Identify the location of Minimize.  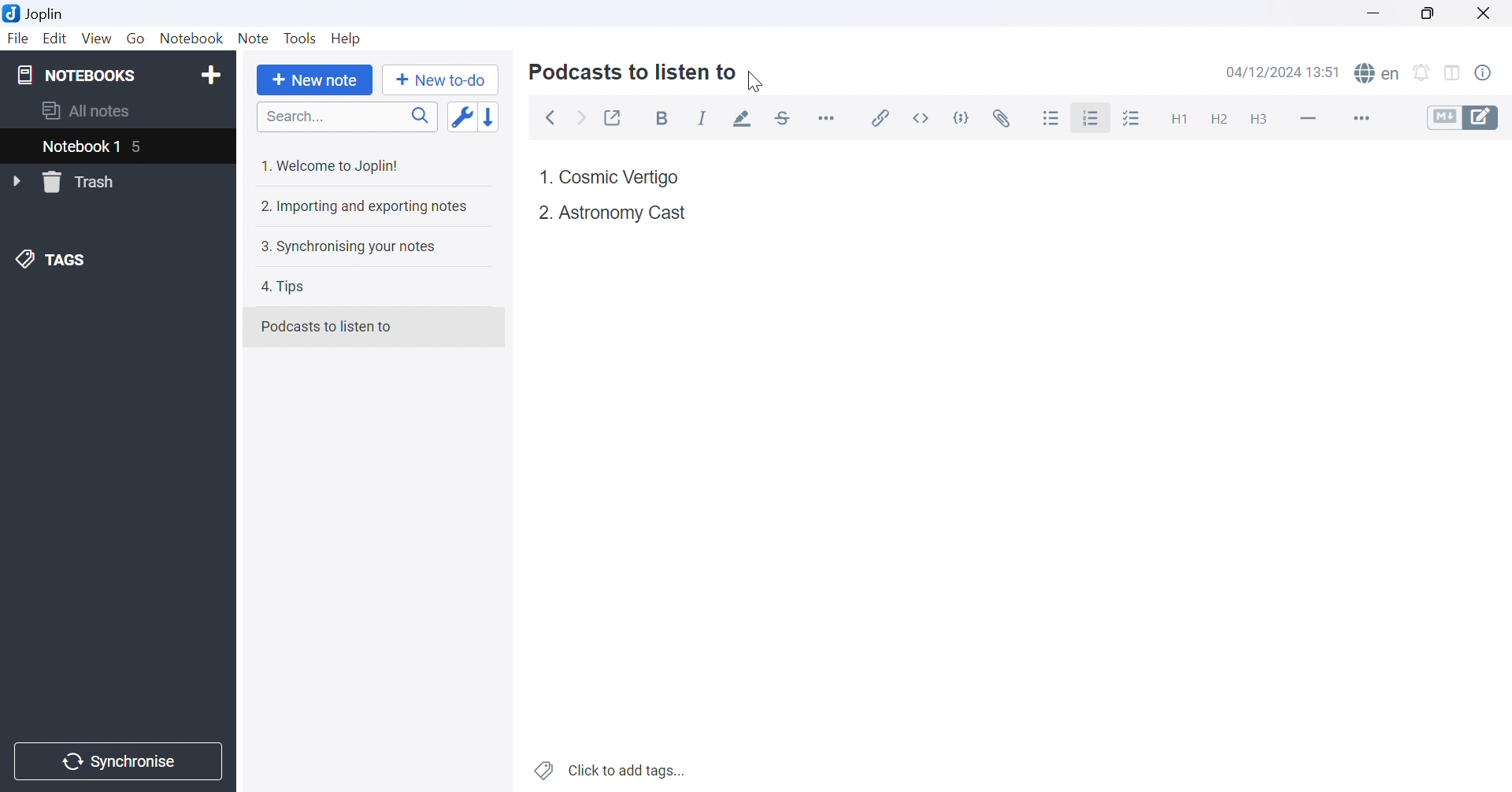
(1372, 12).